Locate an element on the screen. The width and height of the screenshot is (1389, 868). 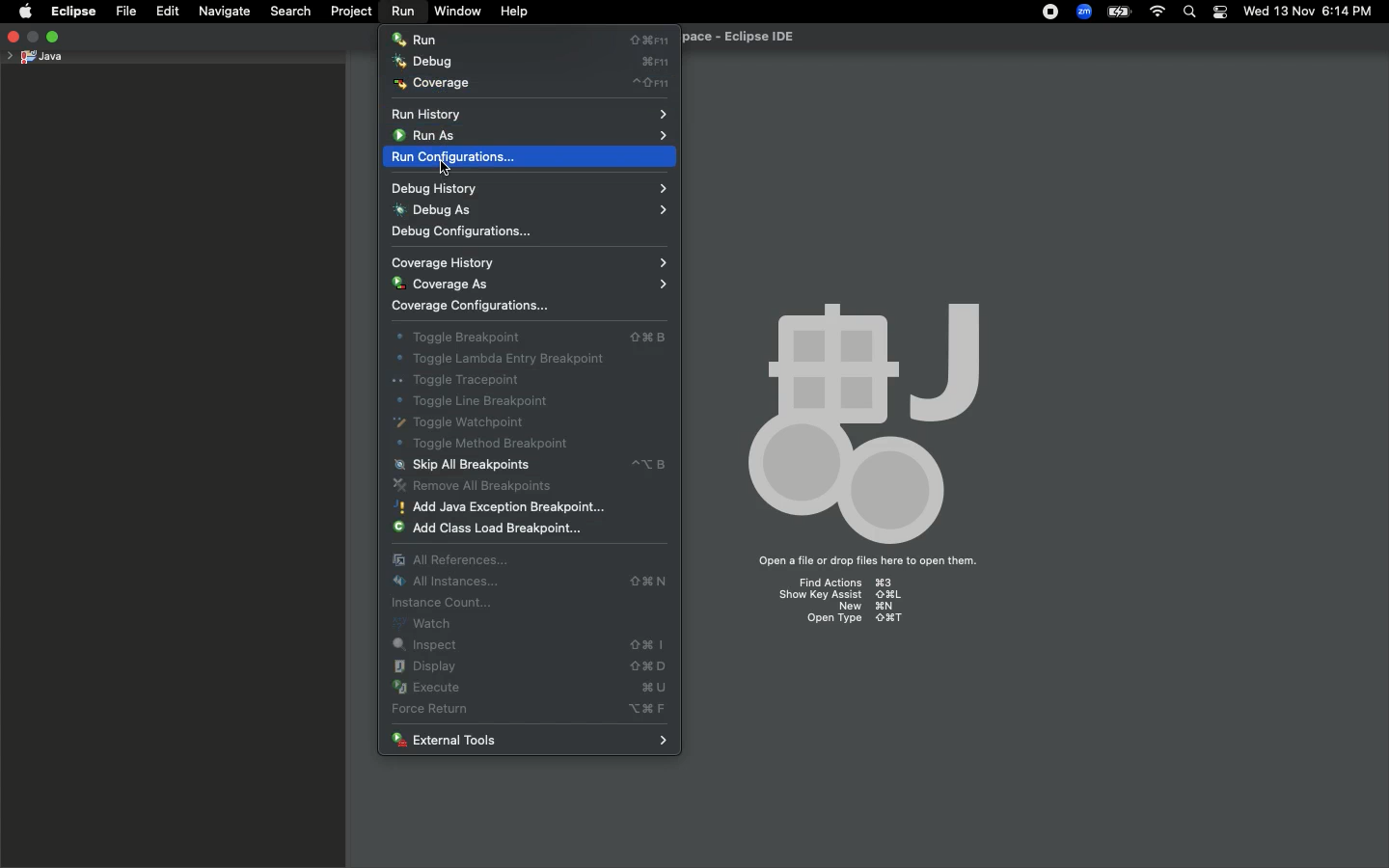
Help is located at coordinates (519, 11).